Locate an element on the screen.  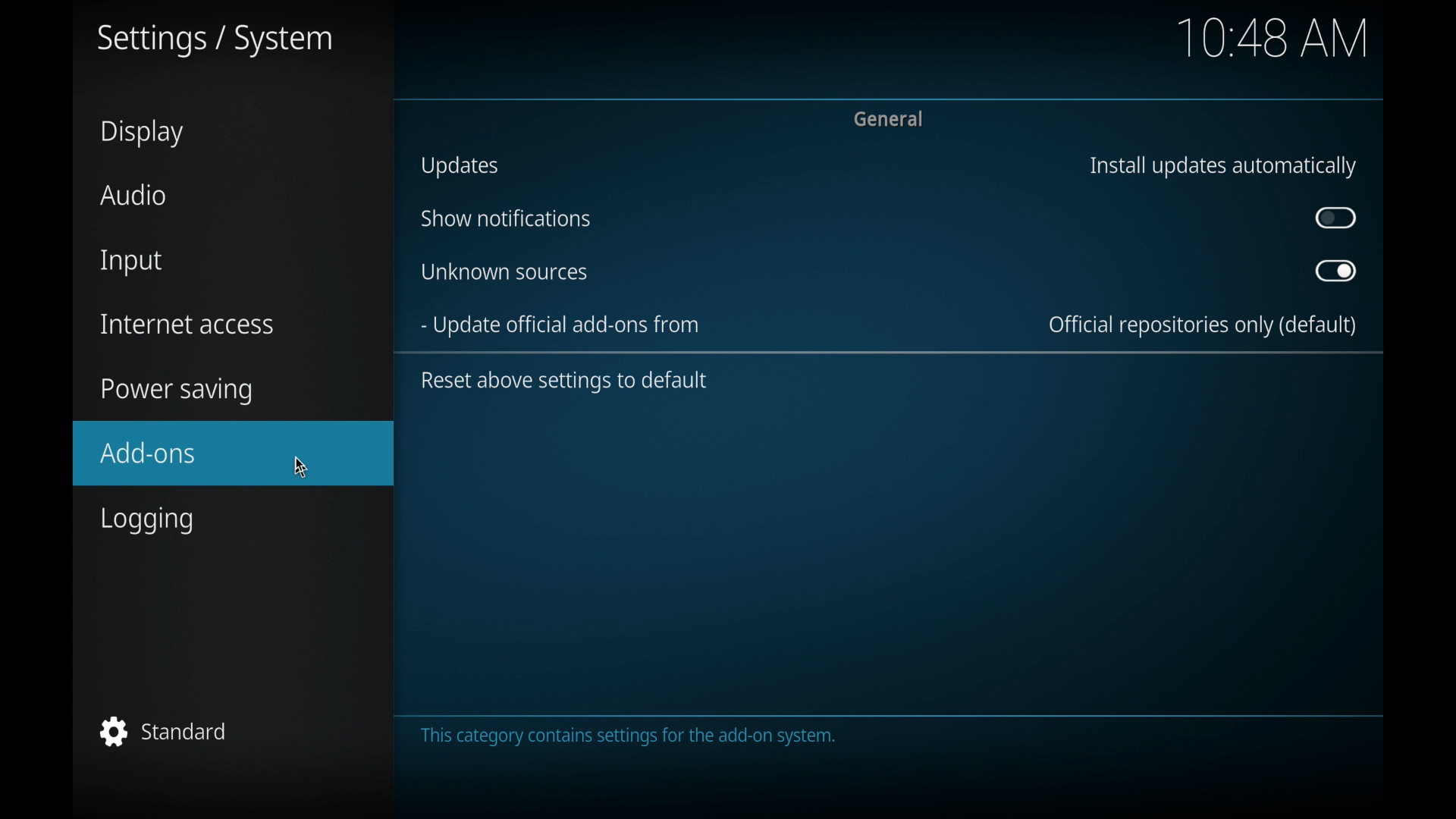
toggle button is located at coordinates (1335, 271).